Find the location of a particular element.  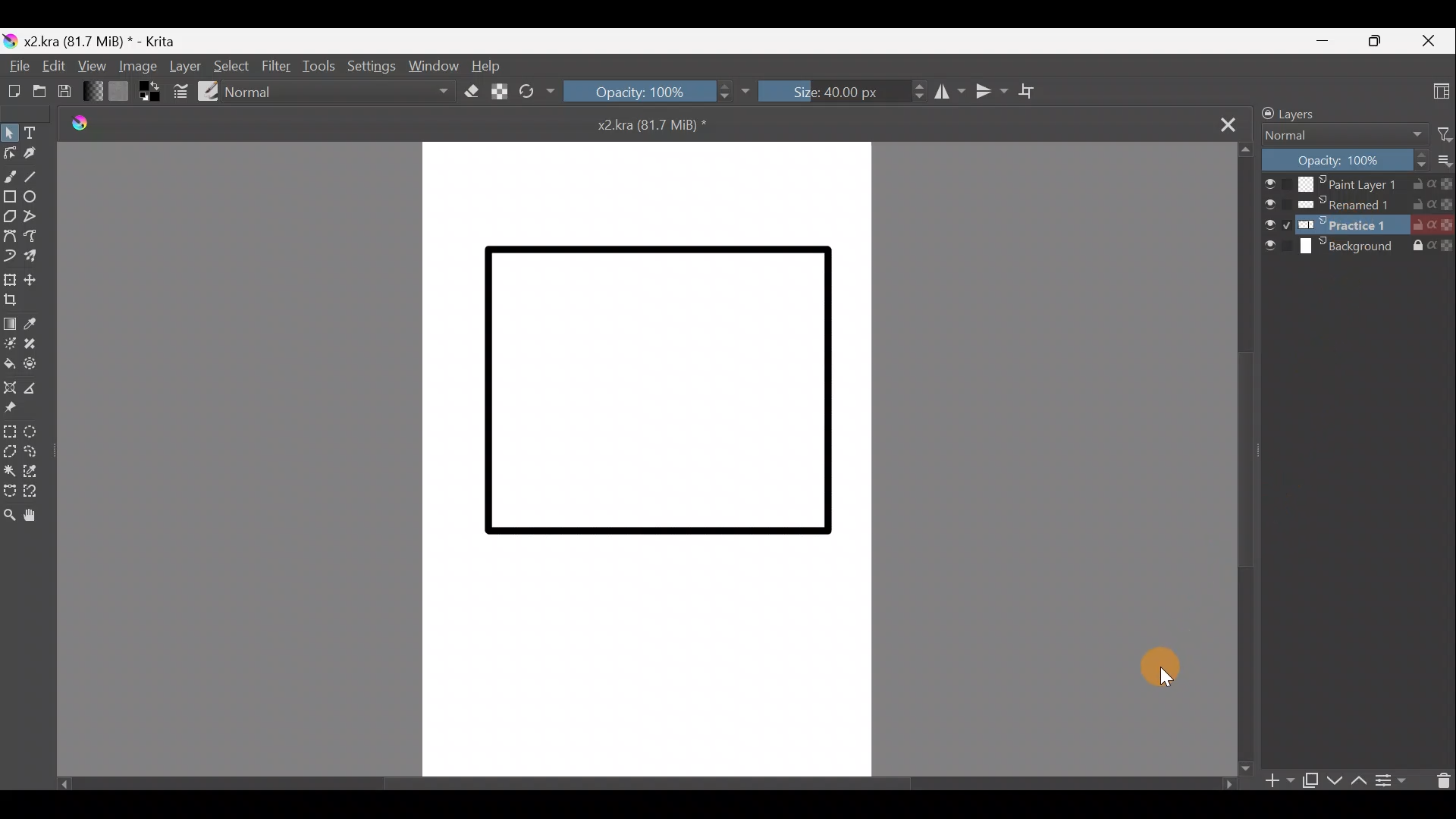

Elliptical selection tool is located at coordinates (34, 431).